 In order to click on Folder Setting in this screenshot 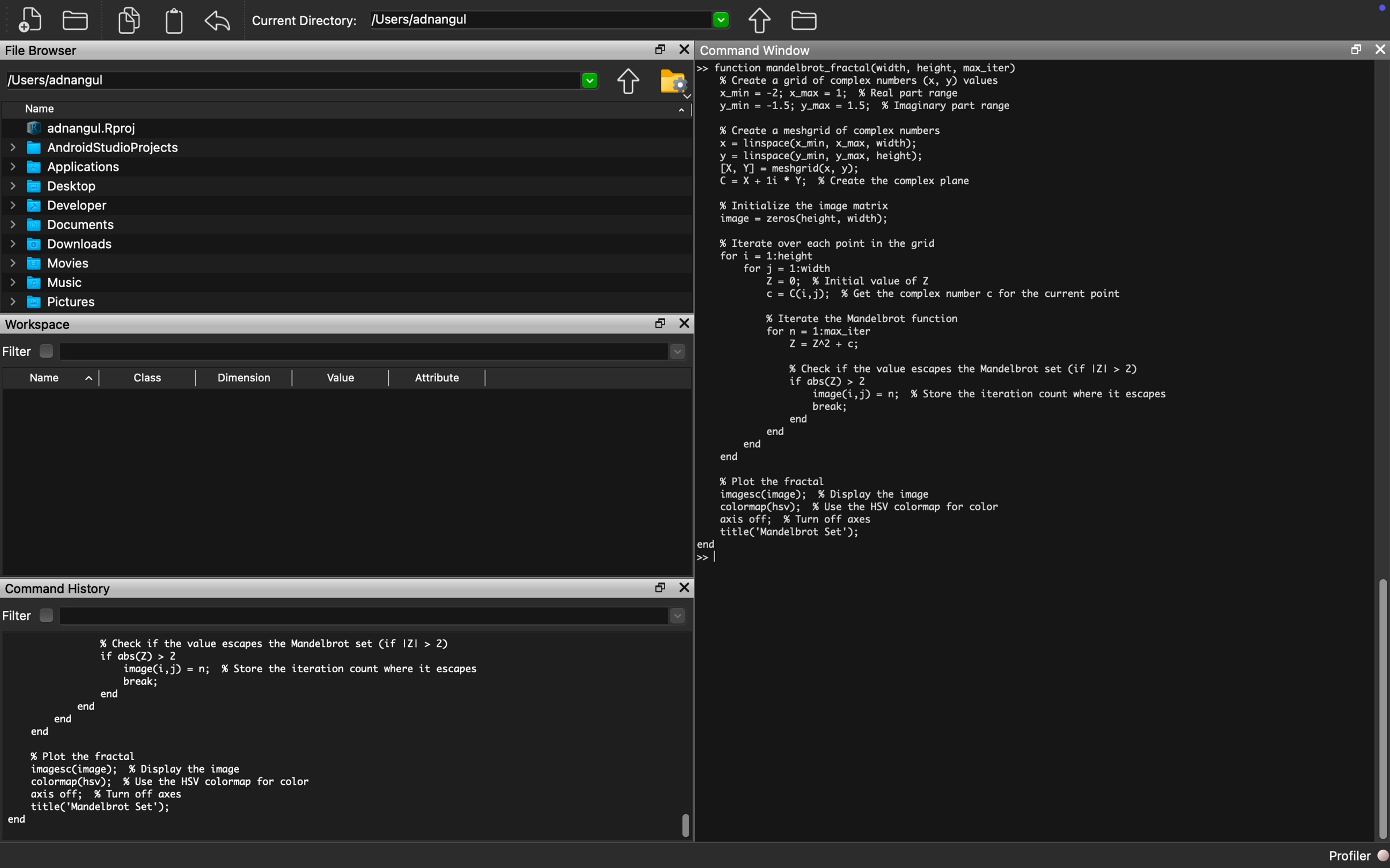, I will do `click(674, 82)`.